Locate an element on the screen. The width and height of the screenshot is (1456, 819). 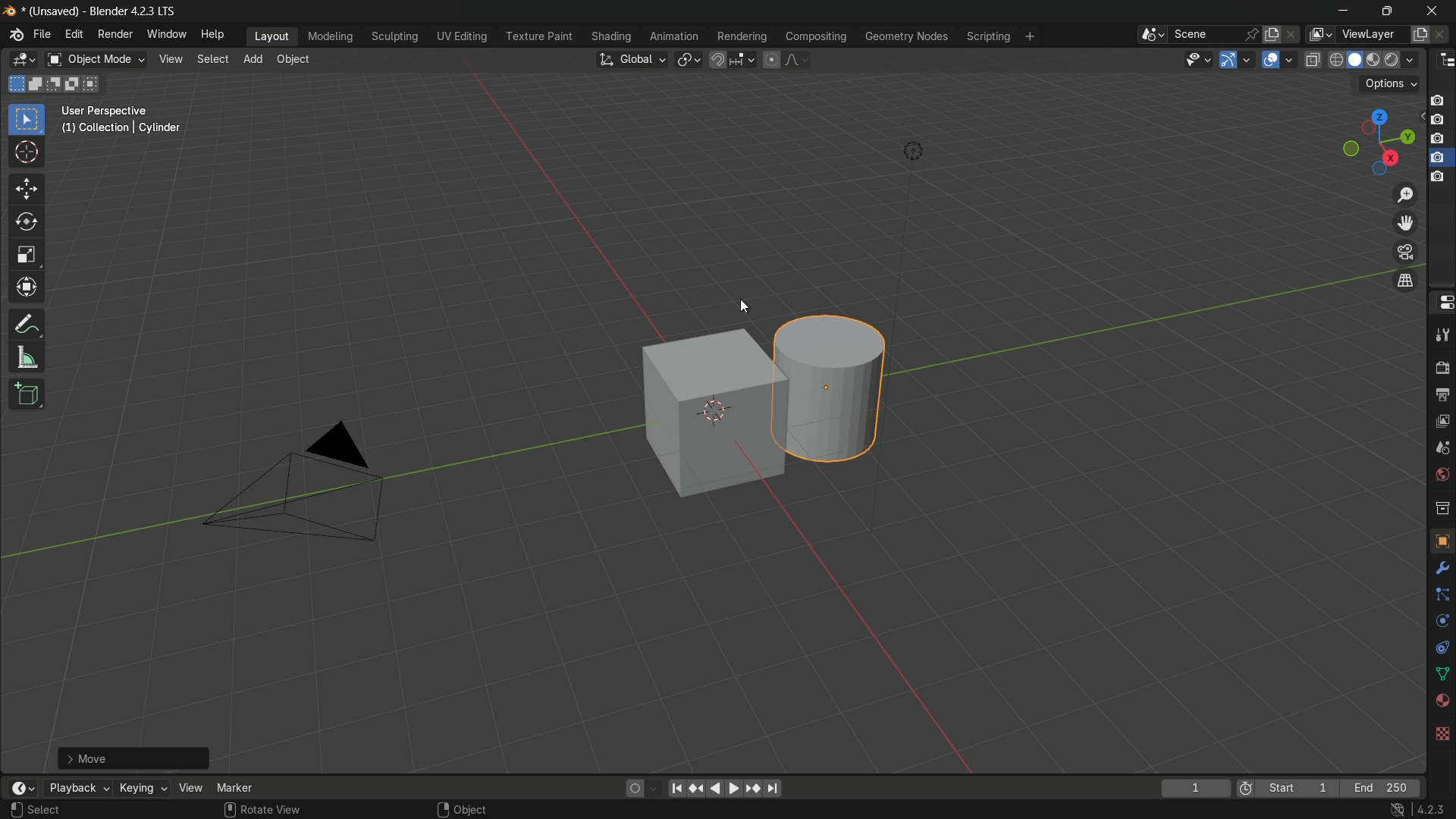
proportional editing falloff is located at coordinates (796, 60).